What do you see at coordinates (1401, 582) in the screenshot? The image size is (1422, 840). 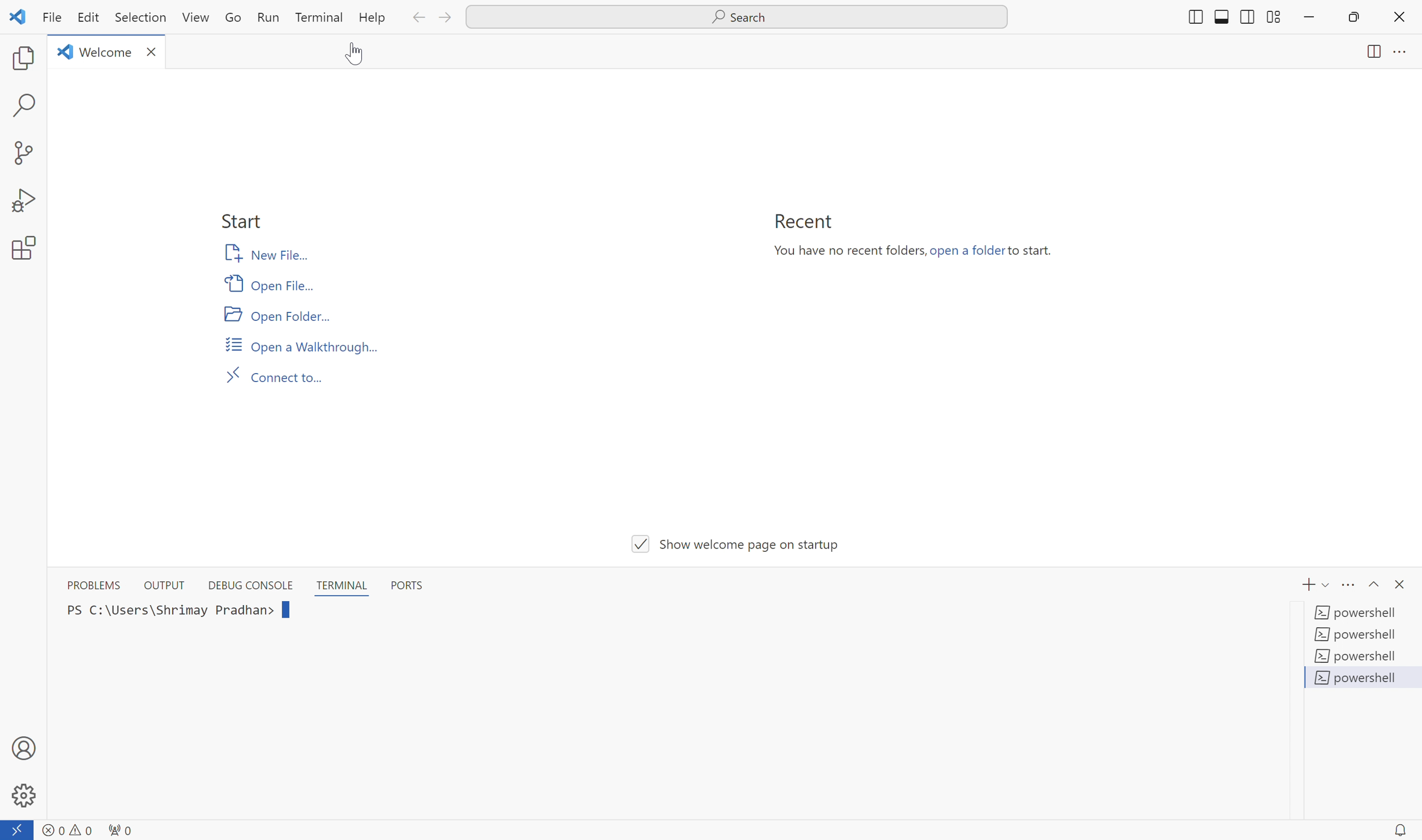 I see `close` at bounding box center [1401, 582].